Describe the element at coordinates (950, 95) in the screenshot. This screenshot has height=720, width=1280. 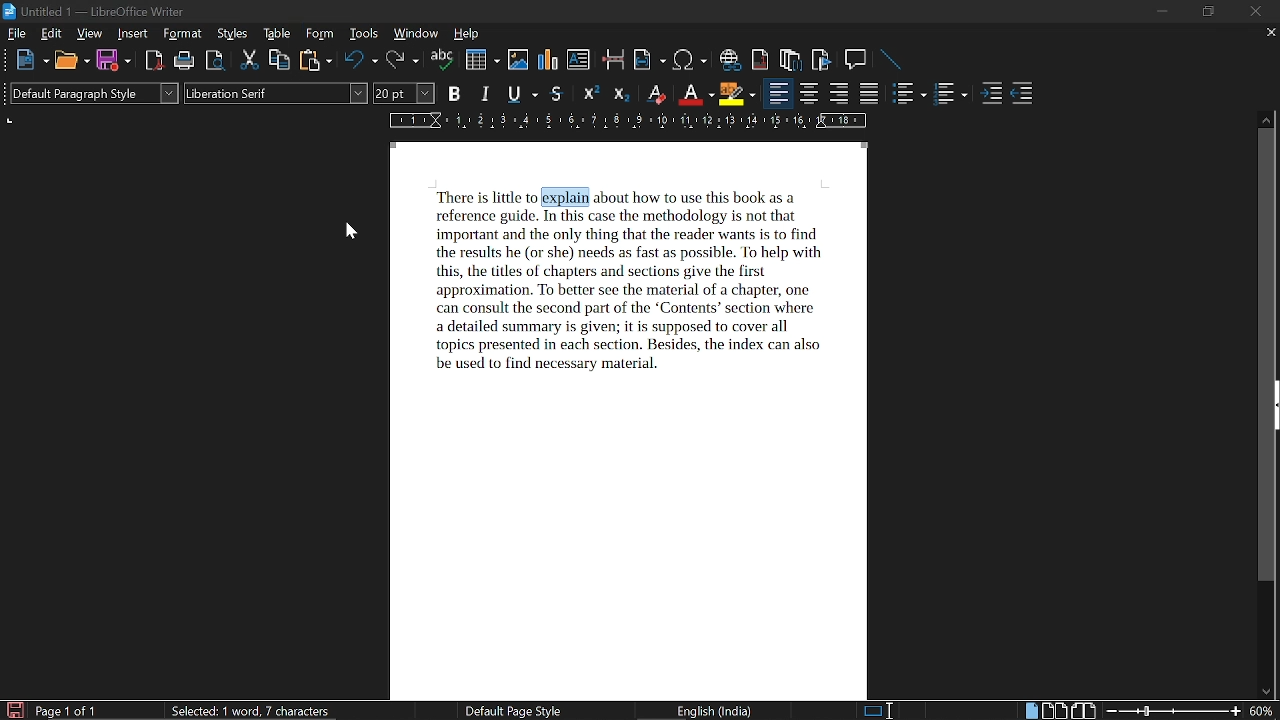
I see `toggle unordered list` at that location.